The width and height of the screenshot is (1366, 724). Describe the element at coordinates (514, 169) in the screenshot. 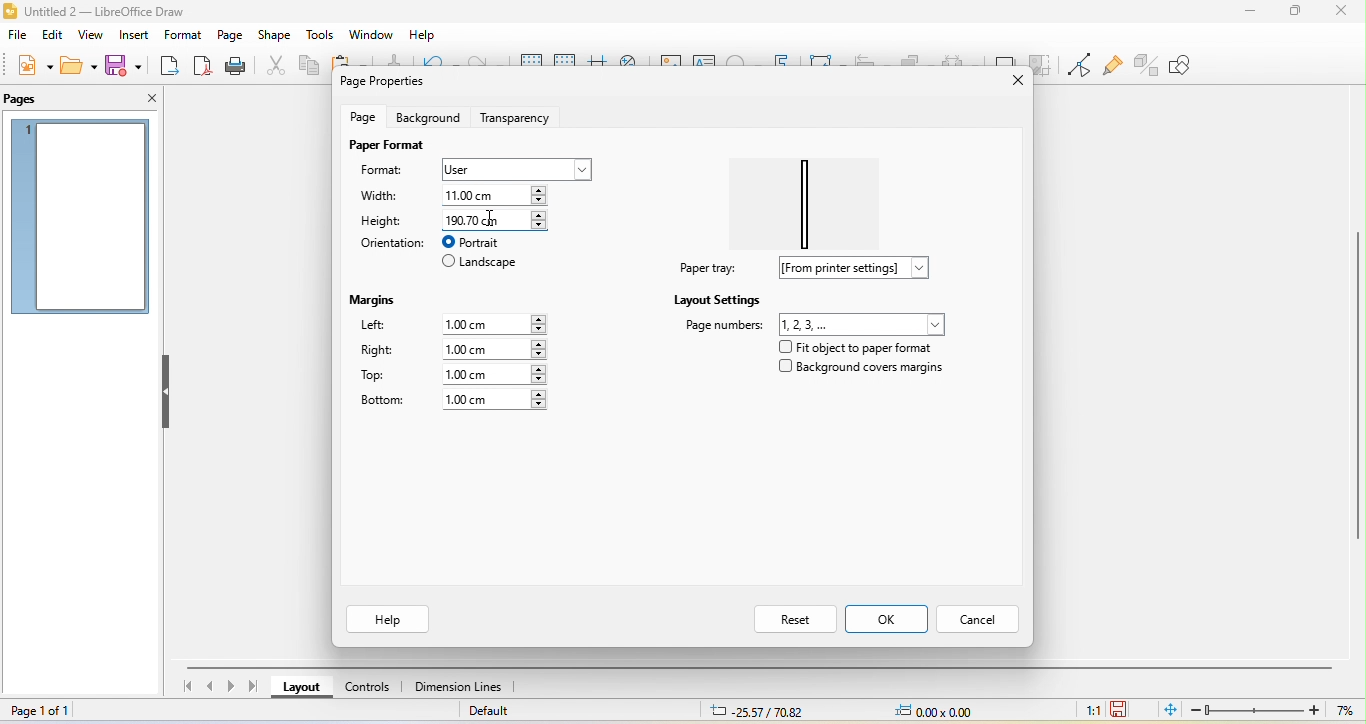

I see `user` at that location.